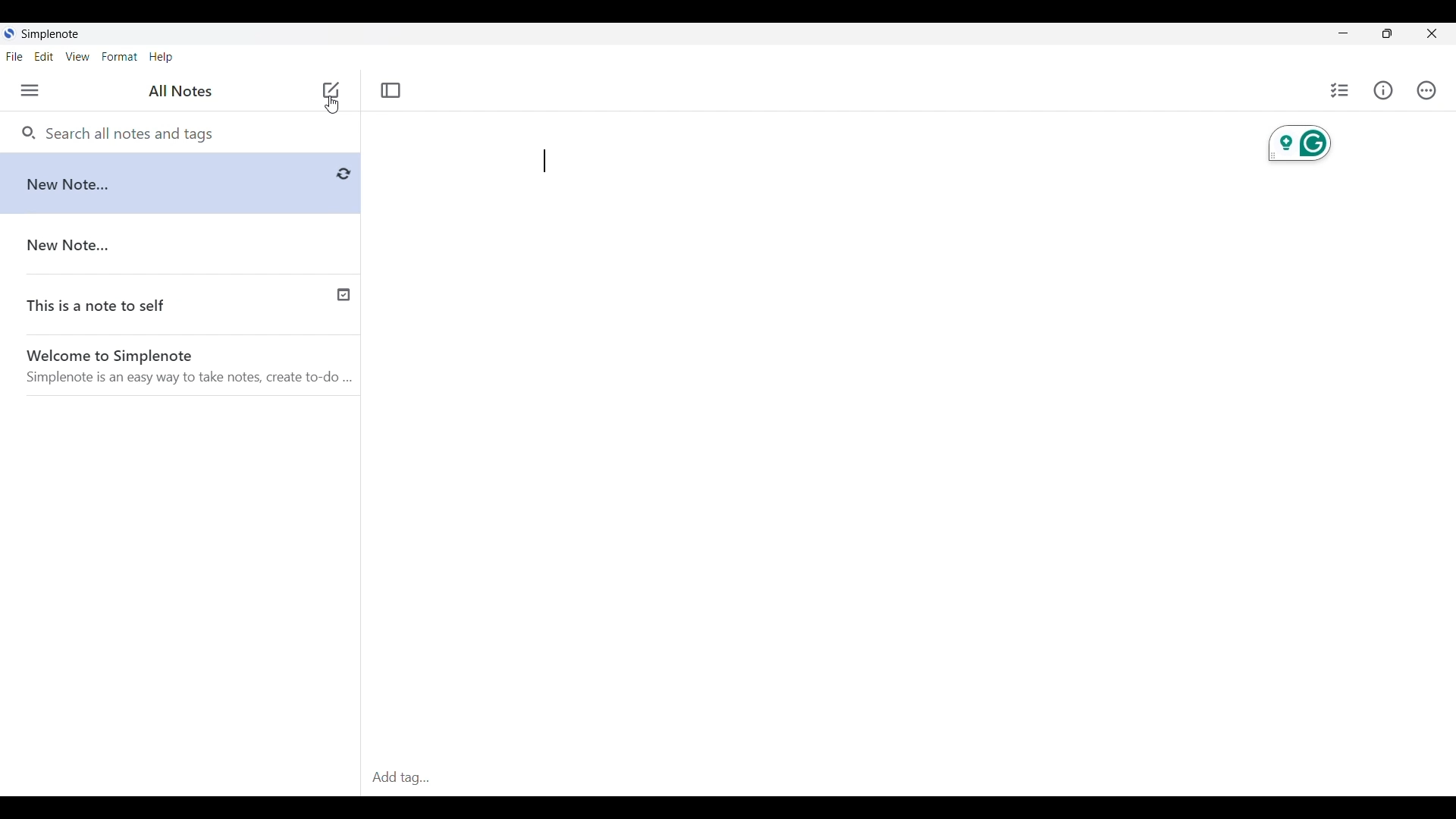  Describe the element at coordinates (161, 58) in the screenshot. I see `Help menu` at that location.